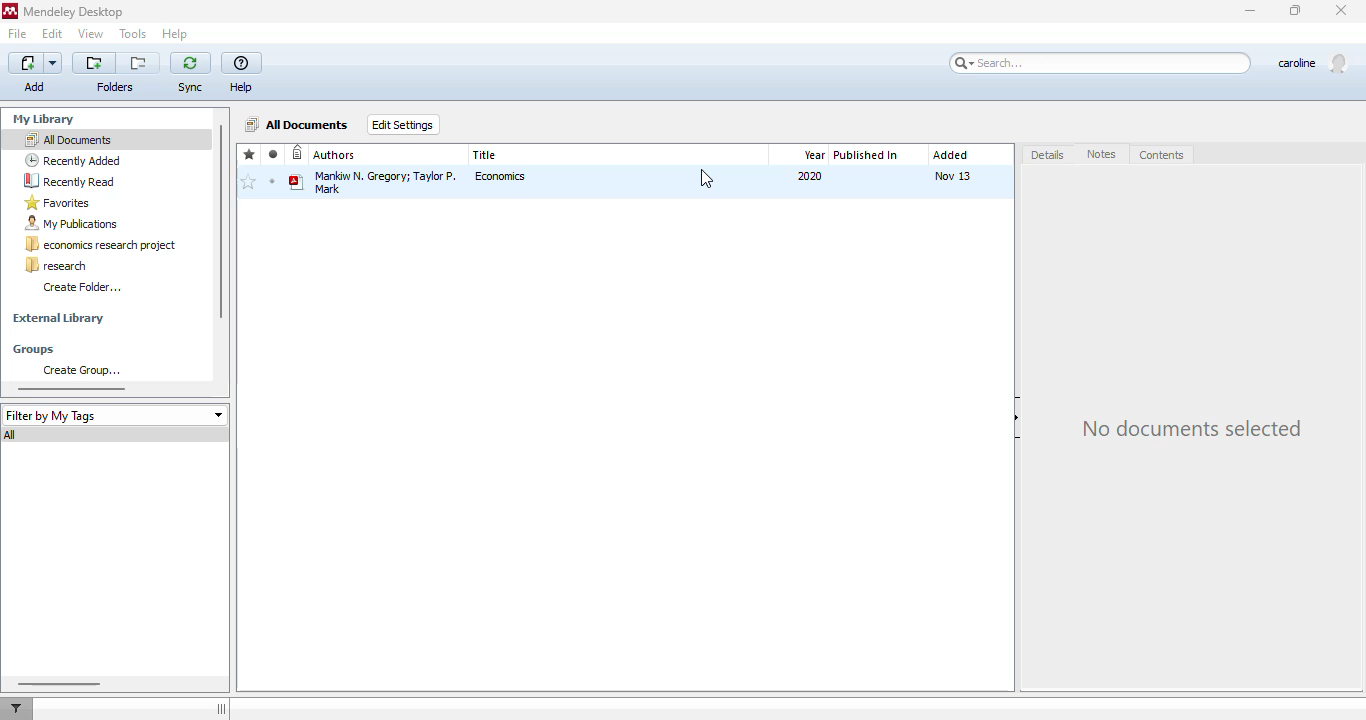 This screenshot has width=1366, height=720. Describe the element at coordinates (298, 124) in the screenshot. I see `all documents` at that location.